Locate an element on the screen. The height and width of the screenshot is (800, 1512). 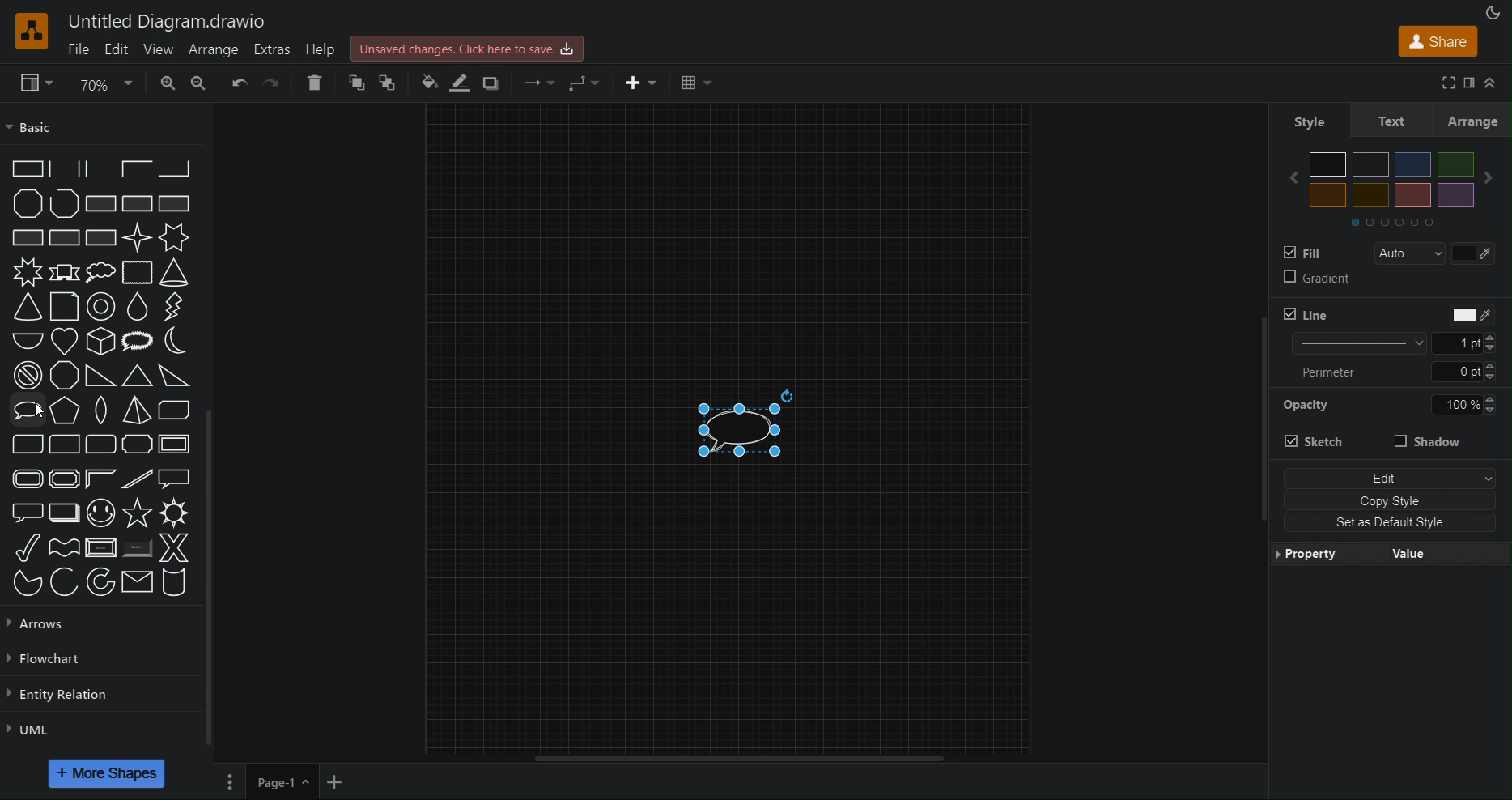
Diagnol Strip Rectangle is located at coordinates (173, 411).